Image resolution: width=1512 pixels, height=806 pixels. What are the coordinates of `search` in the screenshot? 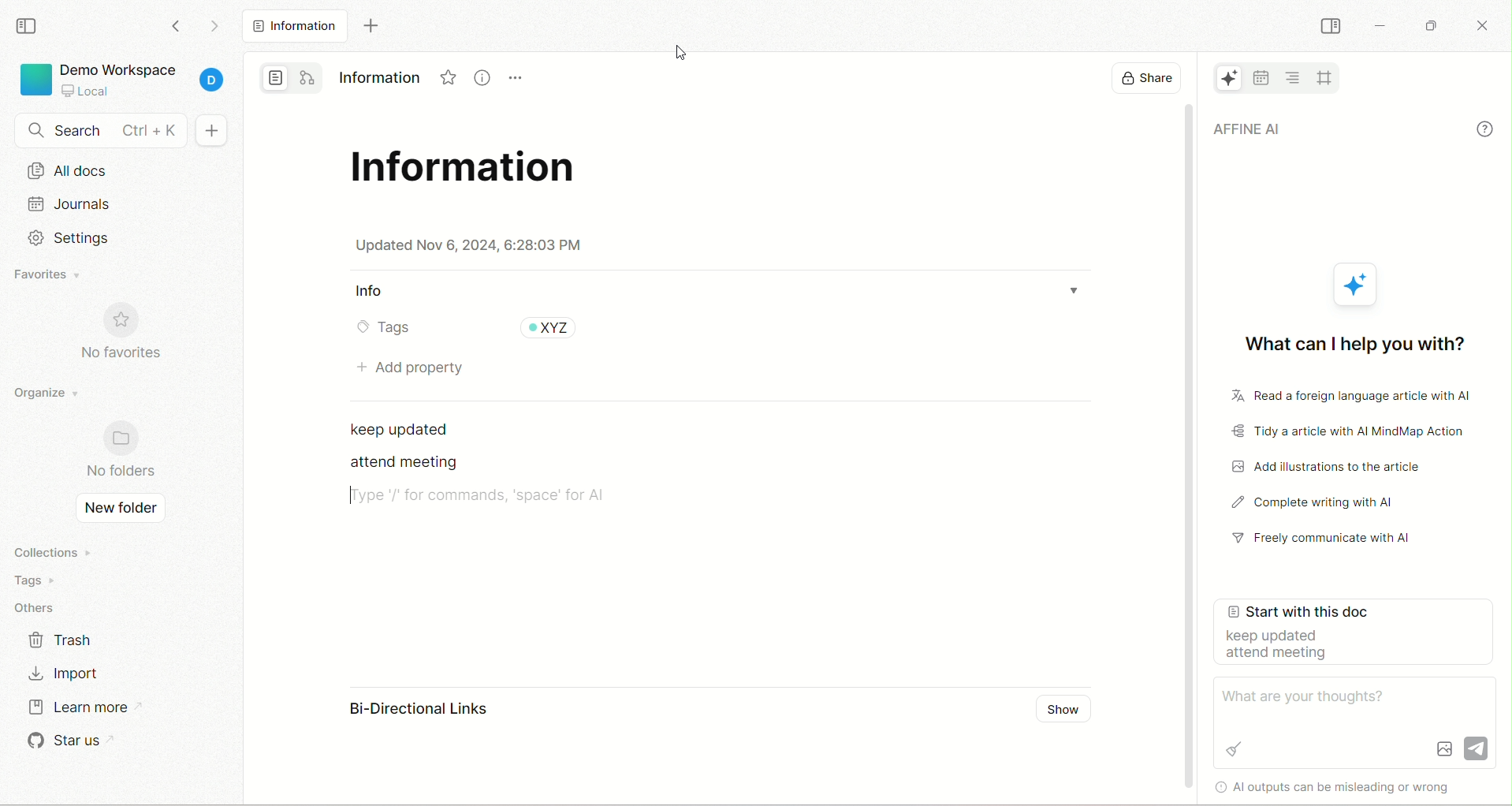 It's located at (95, 131).